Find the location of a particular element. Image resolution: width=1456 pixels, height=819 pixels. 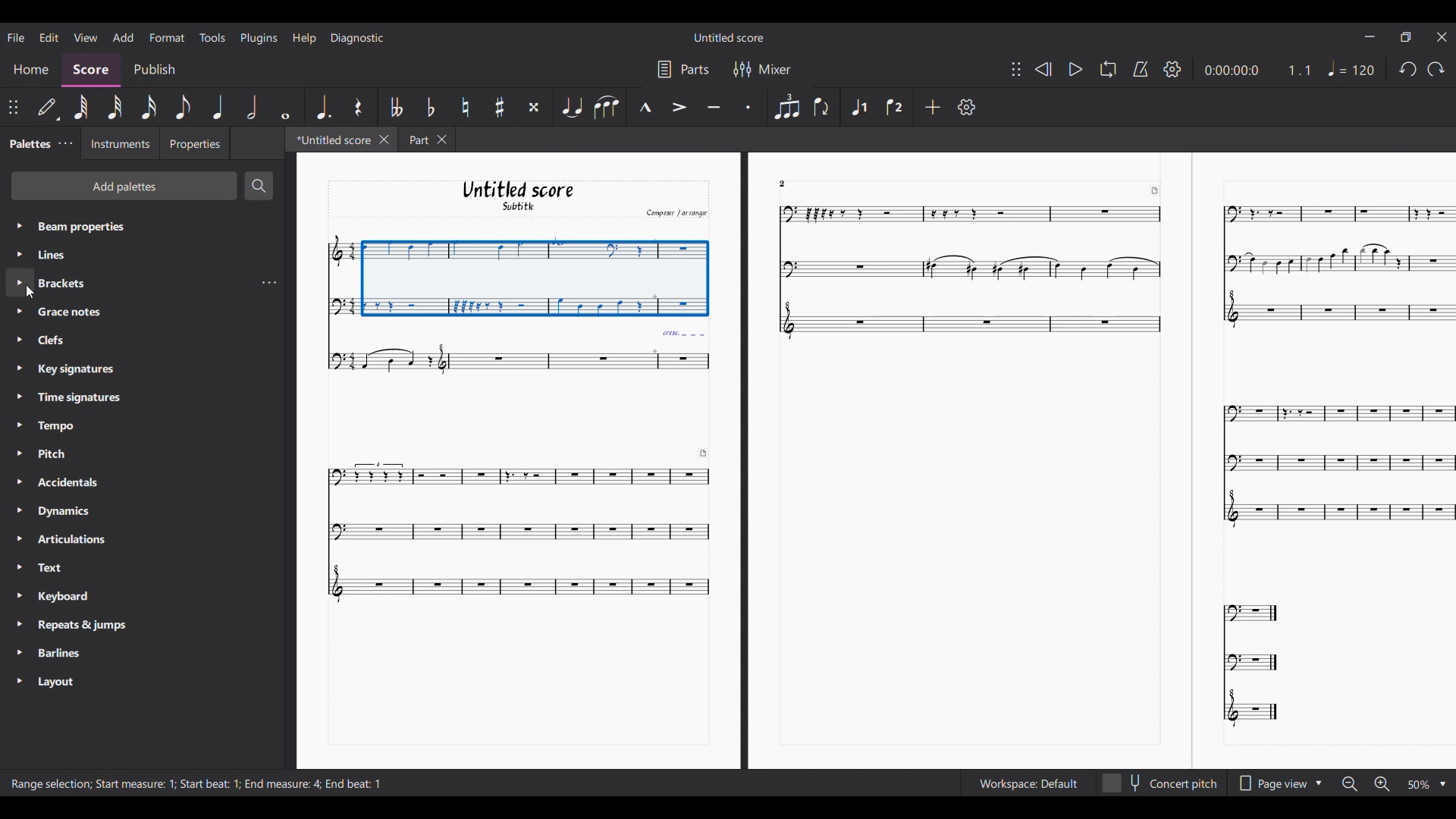

Augmentation dot is located at coordinates (322, 107).